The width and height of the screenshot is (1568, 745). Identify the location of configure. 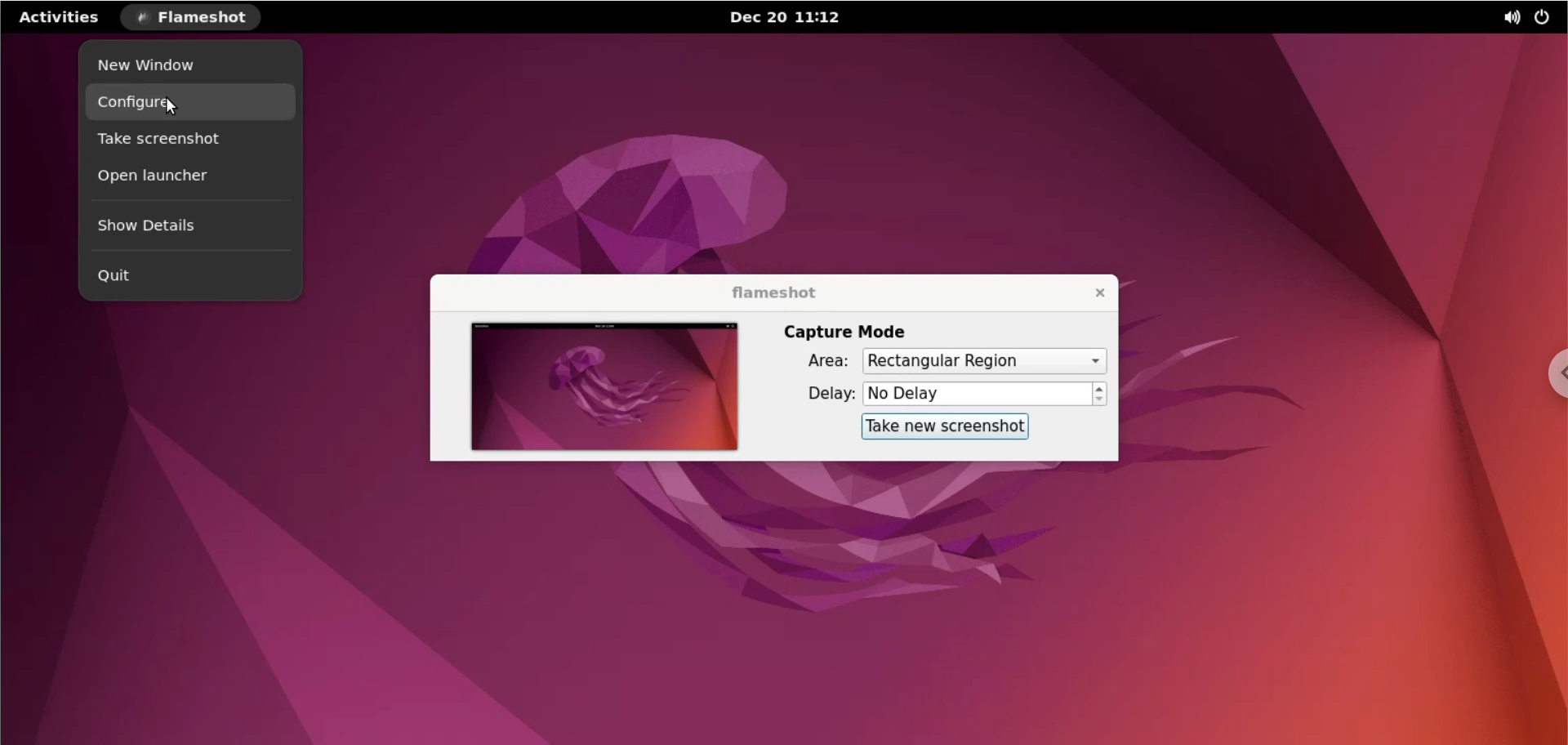
(195, 104).